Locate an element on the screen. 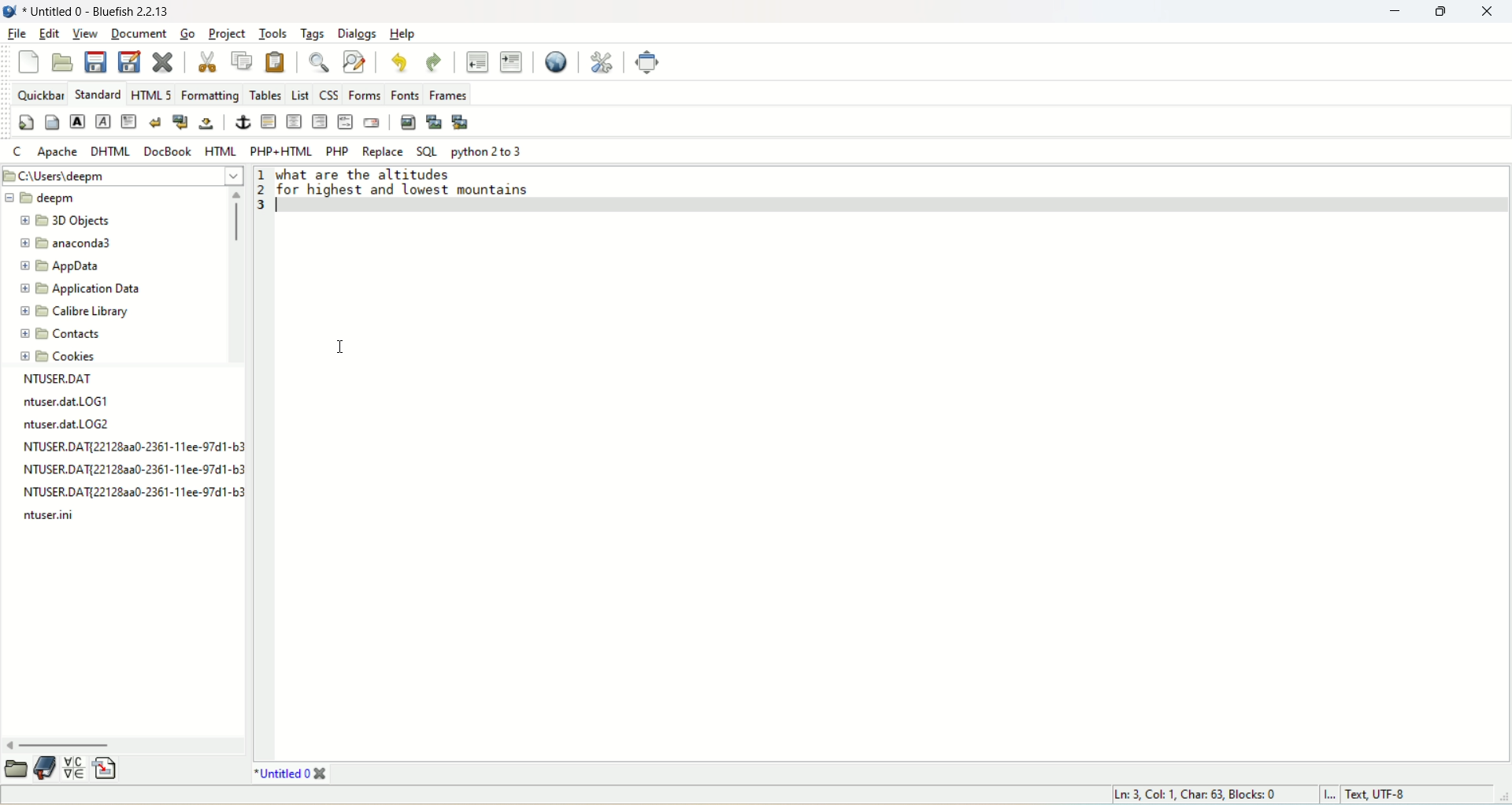 The image size is (1512, 805). HTML is located at coordinates (220, 151).